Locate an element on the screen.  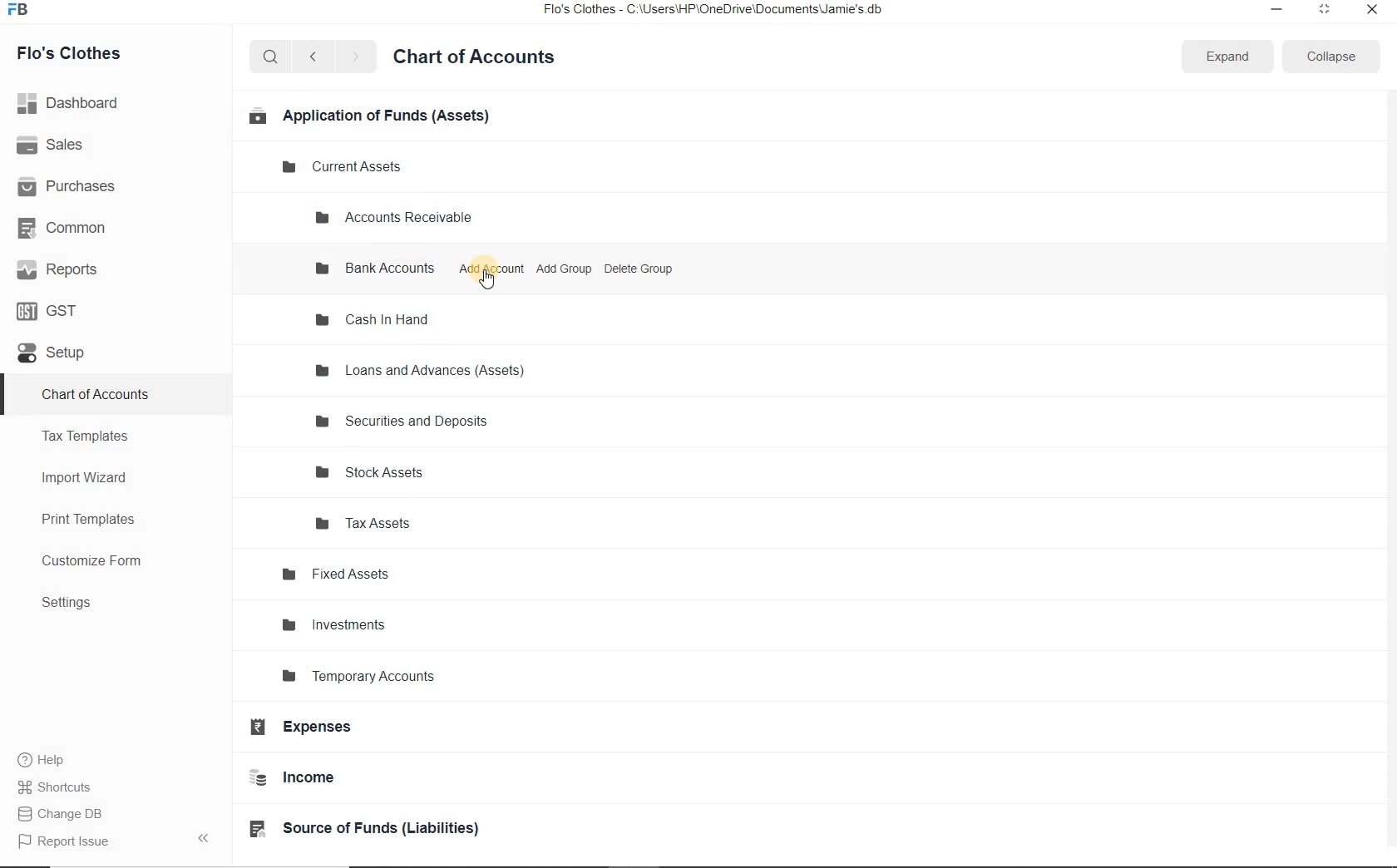
Fixed Assets is located at coordinates (354, 577).